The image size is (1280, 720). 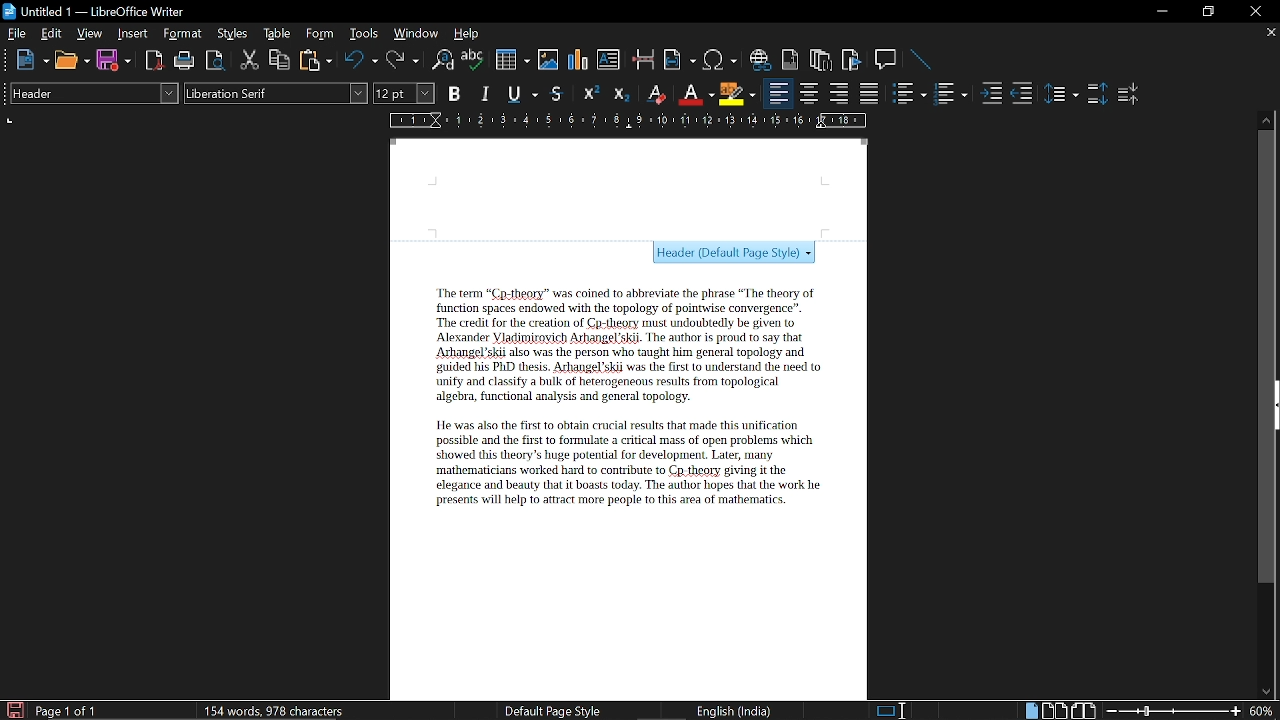 I want to click on Current window, so click(x=94, y=12).